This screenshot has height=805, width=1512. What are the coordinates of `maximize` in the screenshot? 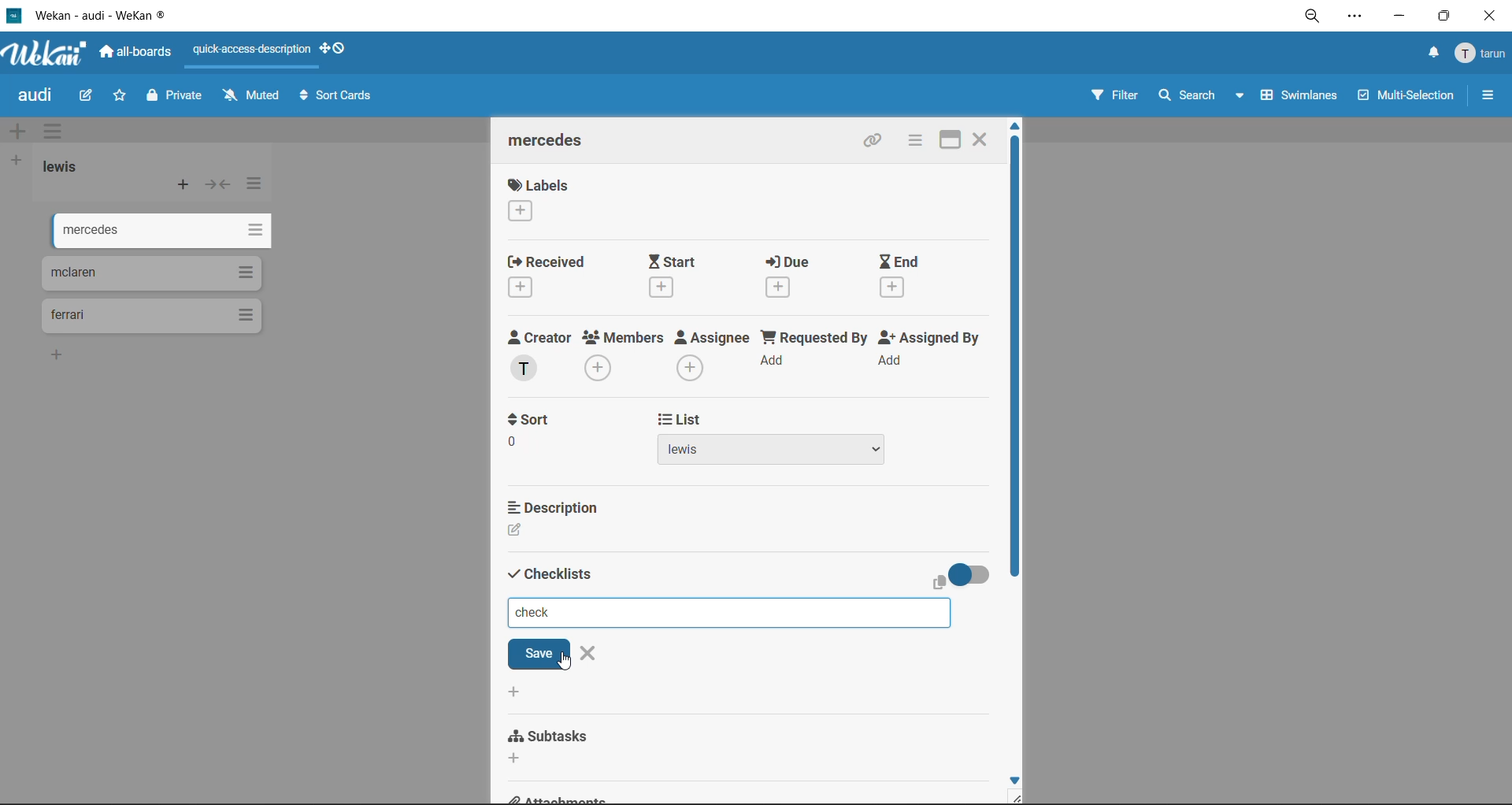 It's located at (943, 139).